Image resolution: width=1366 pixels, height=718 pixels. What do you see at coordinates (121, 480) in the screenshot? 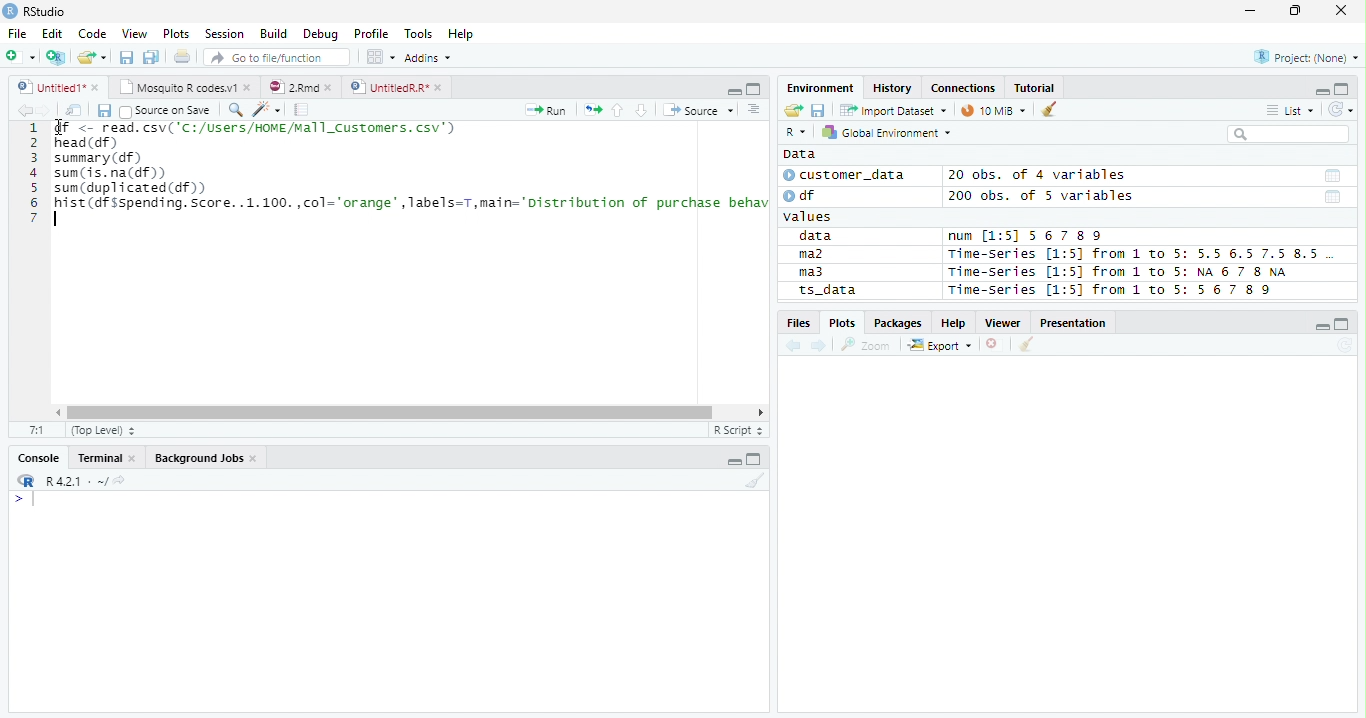
I see `View Current work directory` at bounding box center [121, 480].